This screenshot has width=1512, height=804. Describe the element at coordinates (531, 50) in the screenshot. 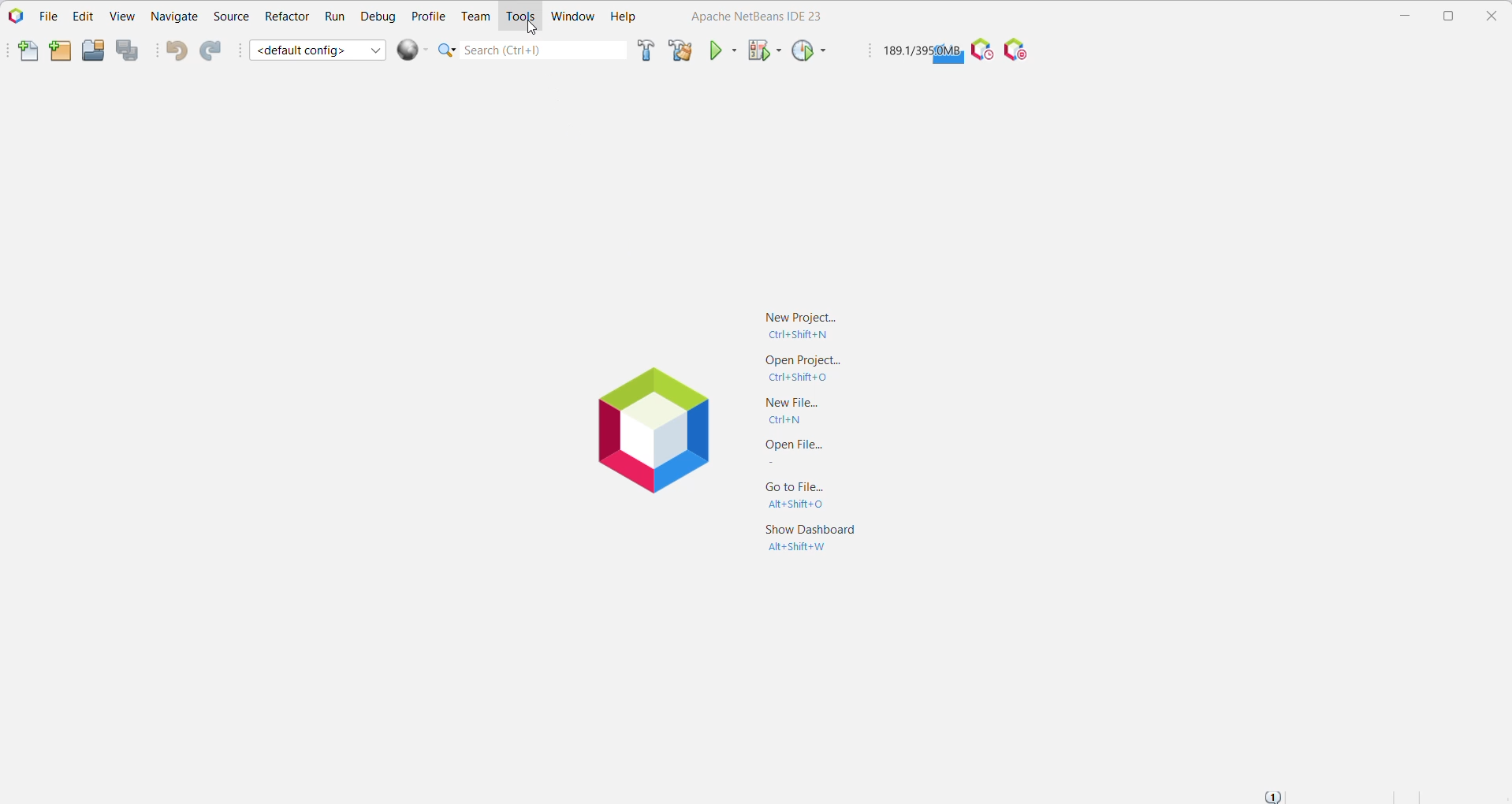

I see `Quick Search Bar` at that location.